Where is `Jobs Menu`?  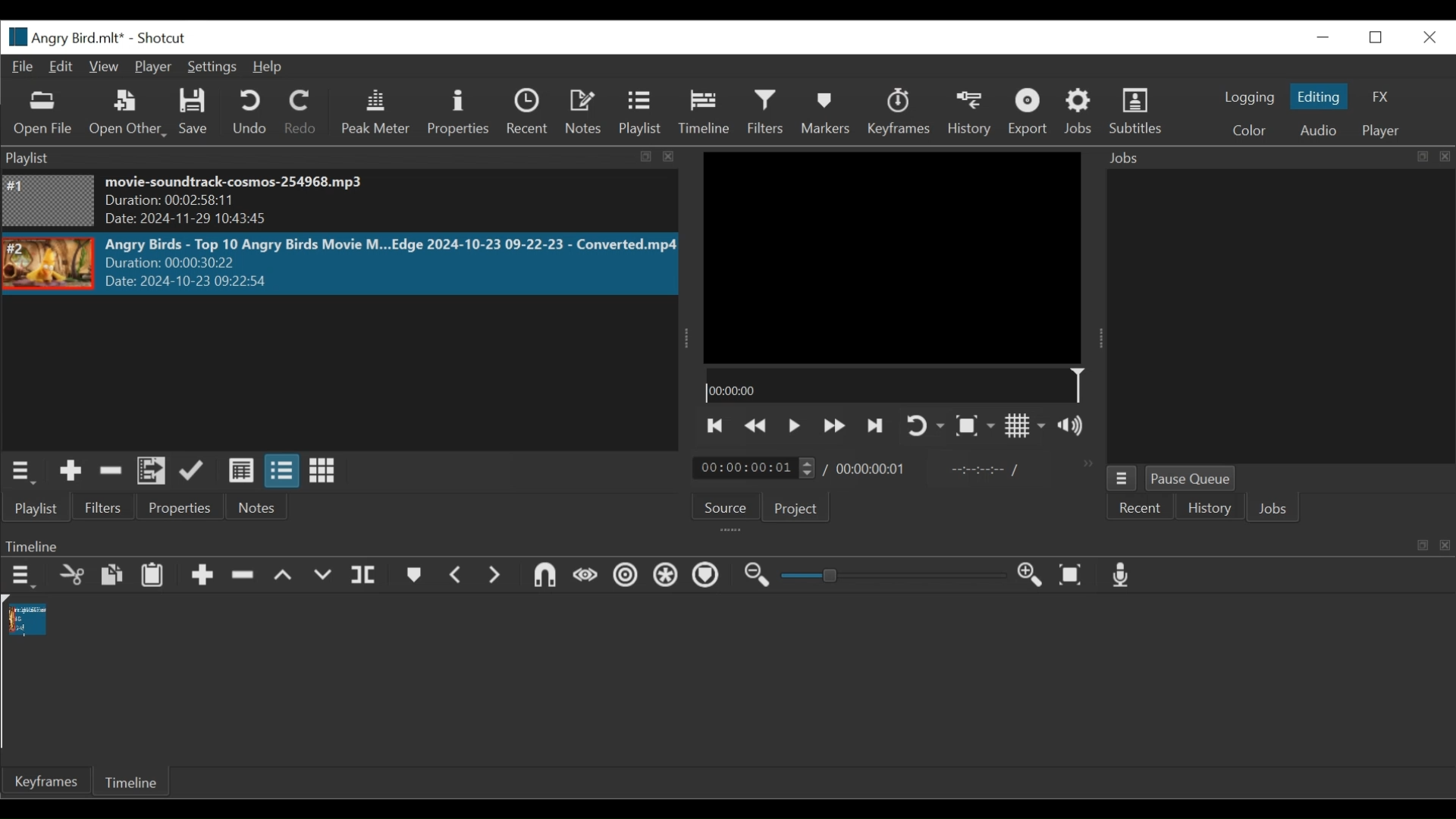
Jobs Menu is located at coordinates (1122, 478).